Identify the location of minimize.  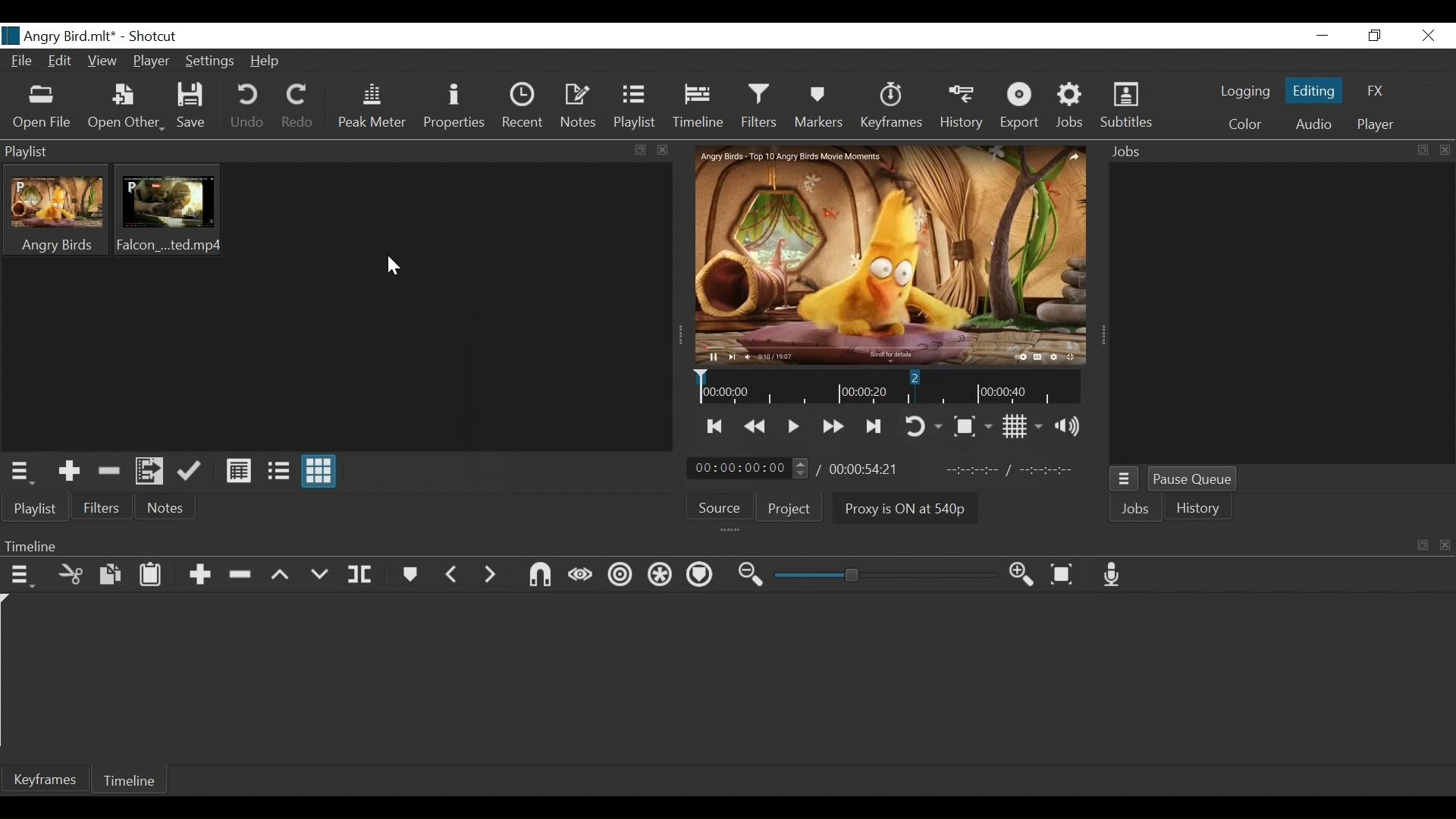
(1321, 36).